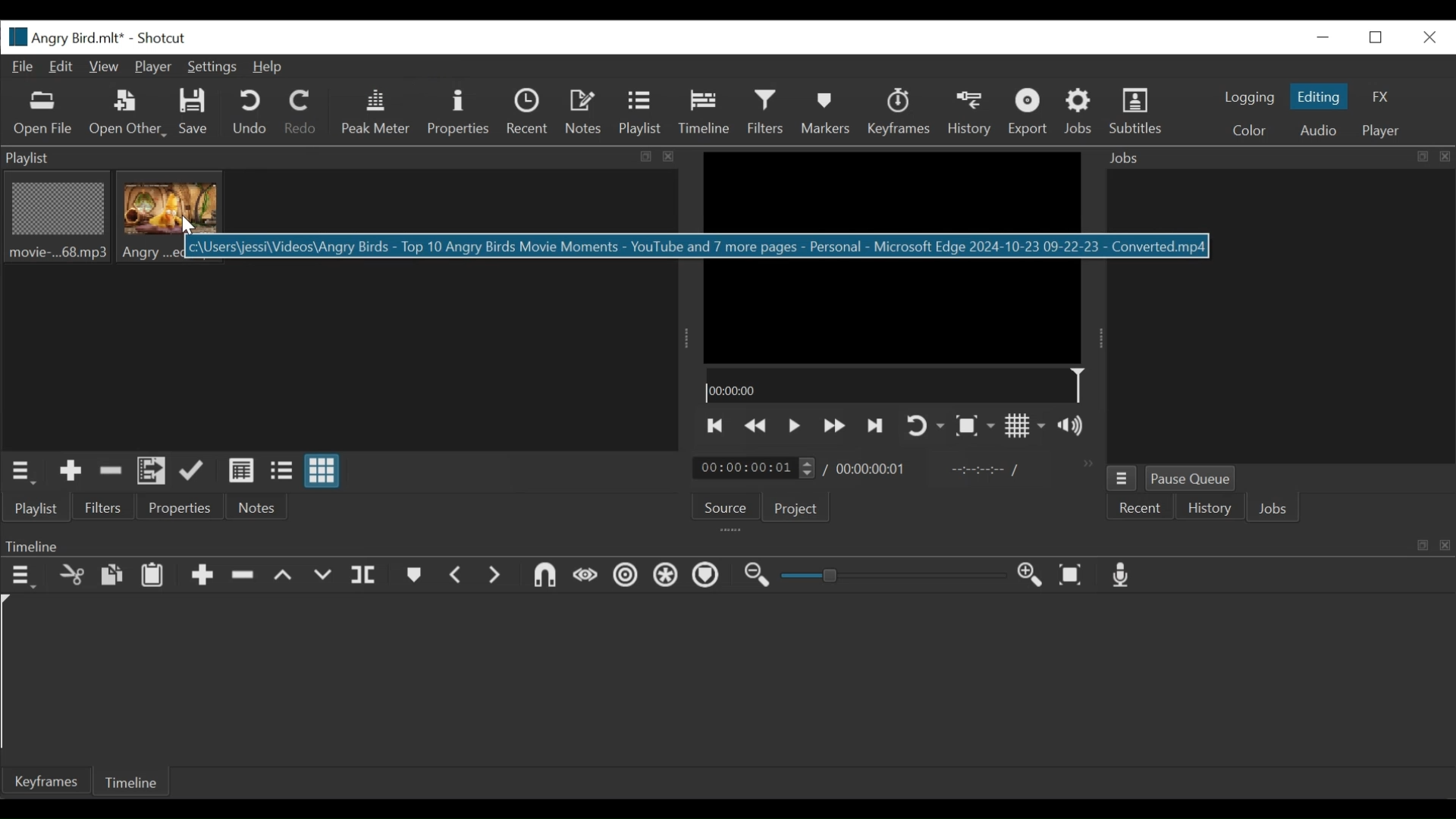  What do you see at coordinates (127, 114) in the screenshot?
I see `Open Other` at bounding box center [127, 114].